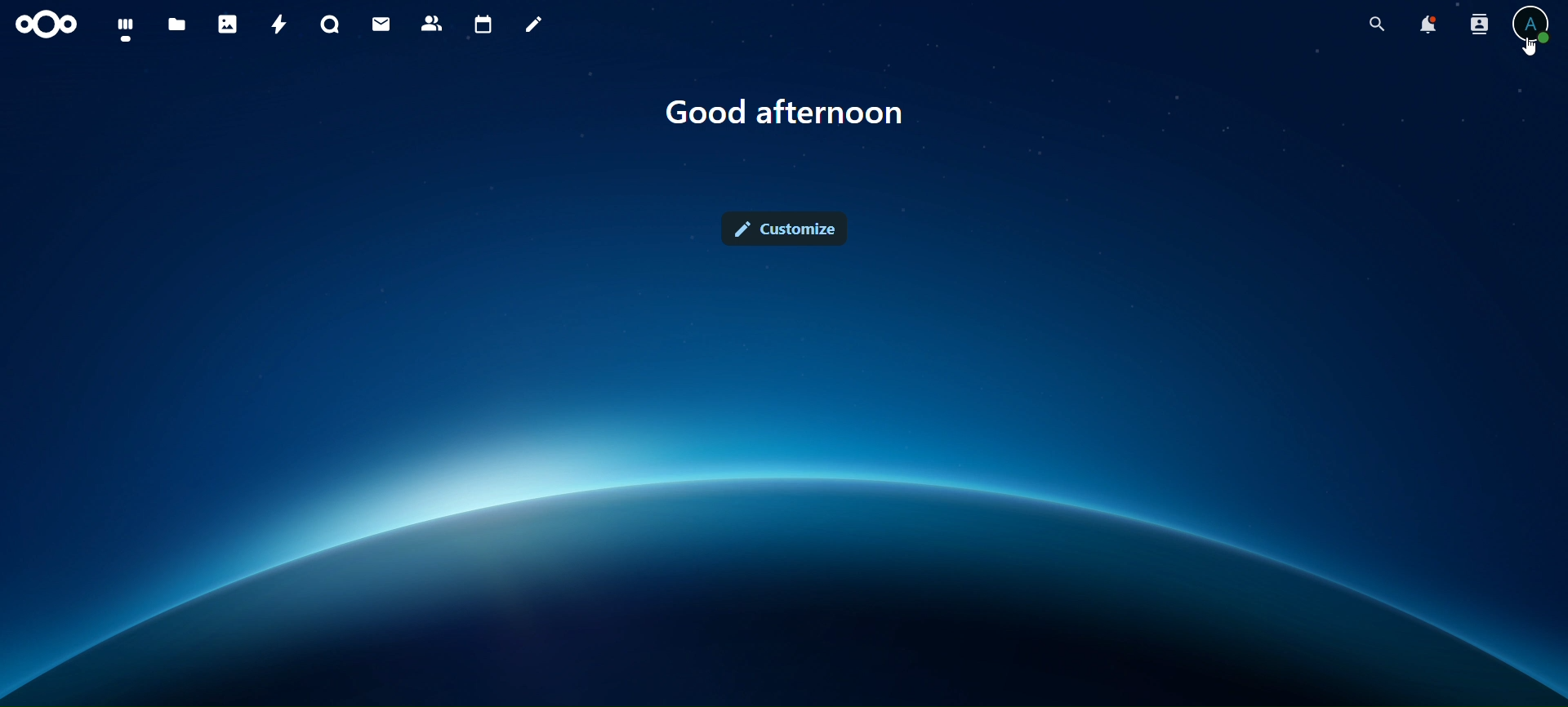 This screenshot has width=1568, height=707. Describe the element at coordinates (378, 24) in the screenshot. I see `mail` at that location.